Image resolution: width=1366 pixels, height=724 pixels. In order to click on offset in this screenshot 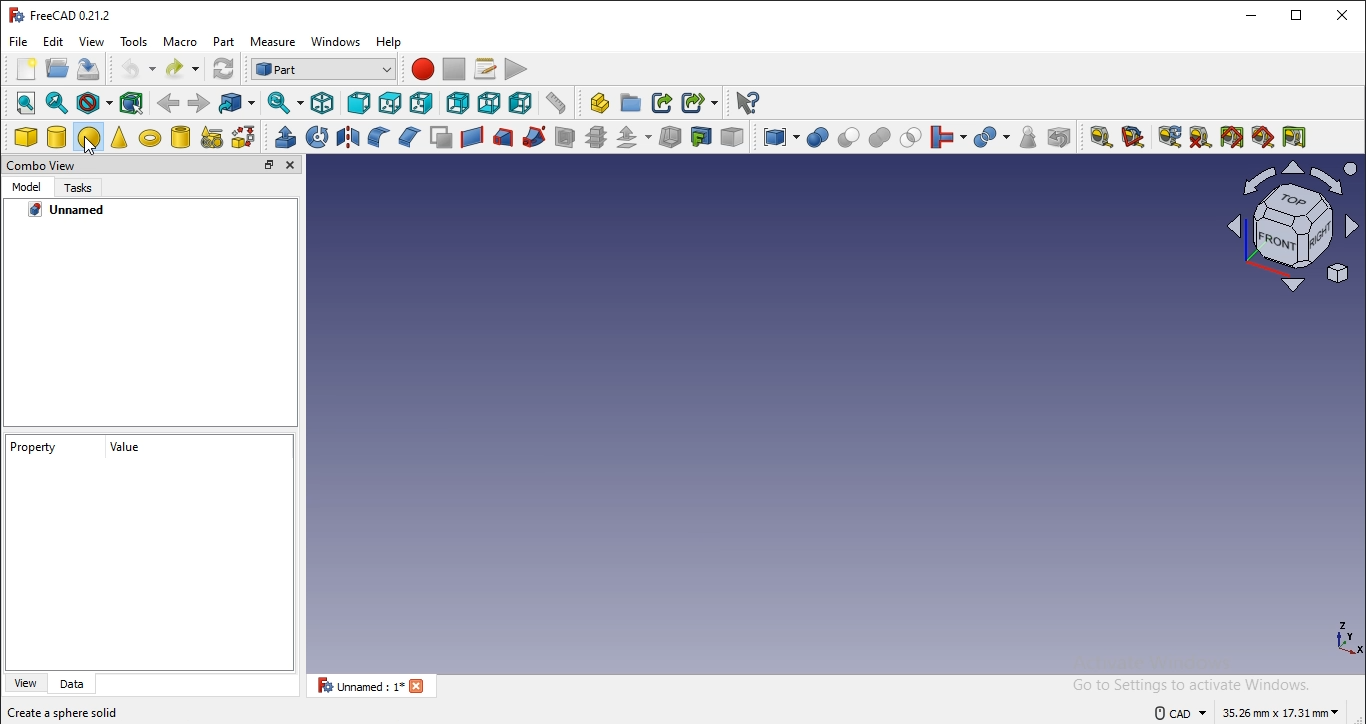, I will do `click(630, 138)`.